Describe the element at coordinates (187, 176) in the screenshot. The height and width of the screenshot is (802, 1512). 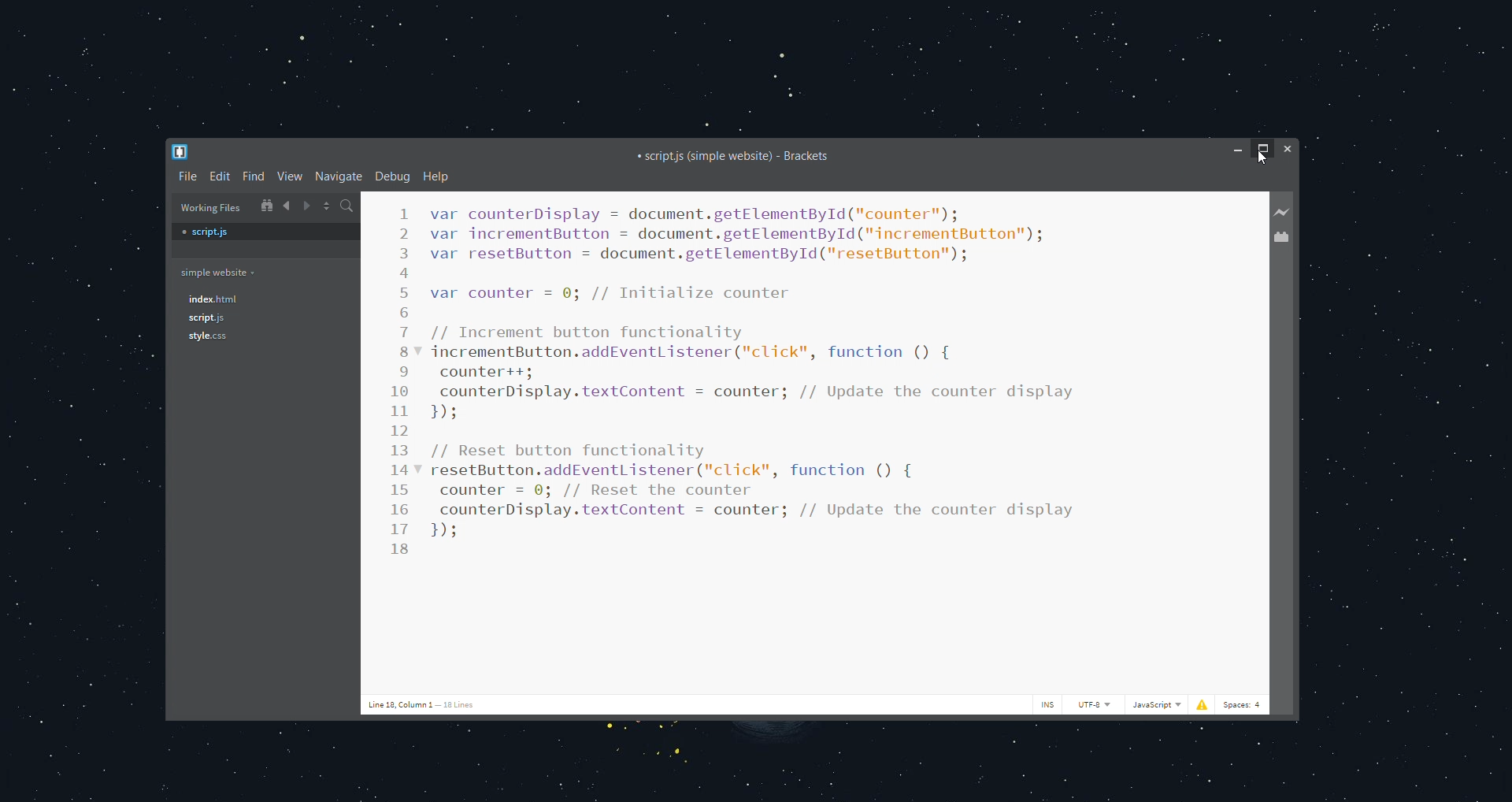
I see `file` at that location.